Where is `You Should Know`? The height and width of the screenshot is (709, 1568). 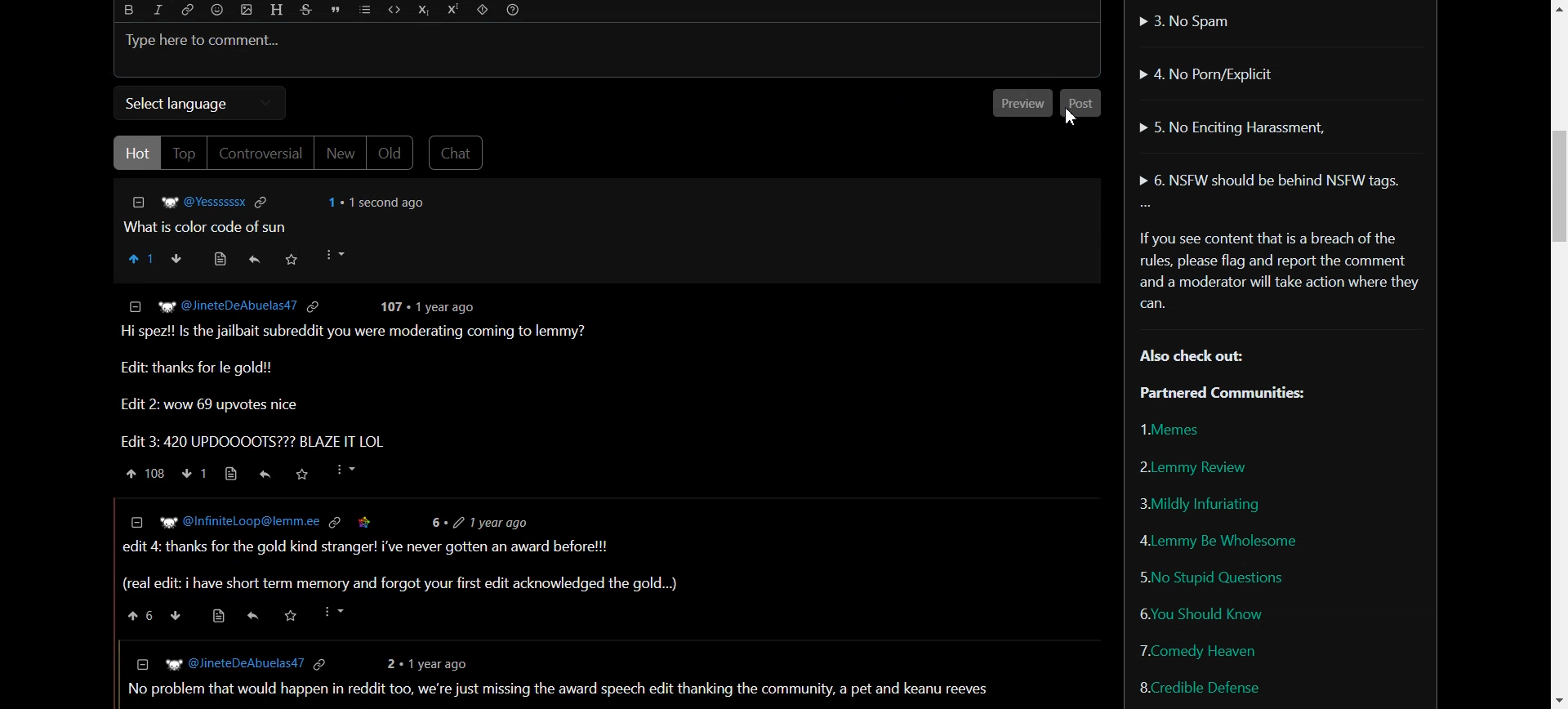
You Should Know is located at coordinates (1200, 612).